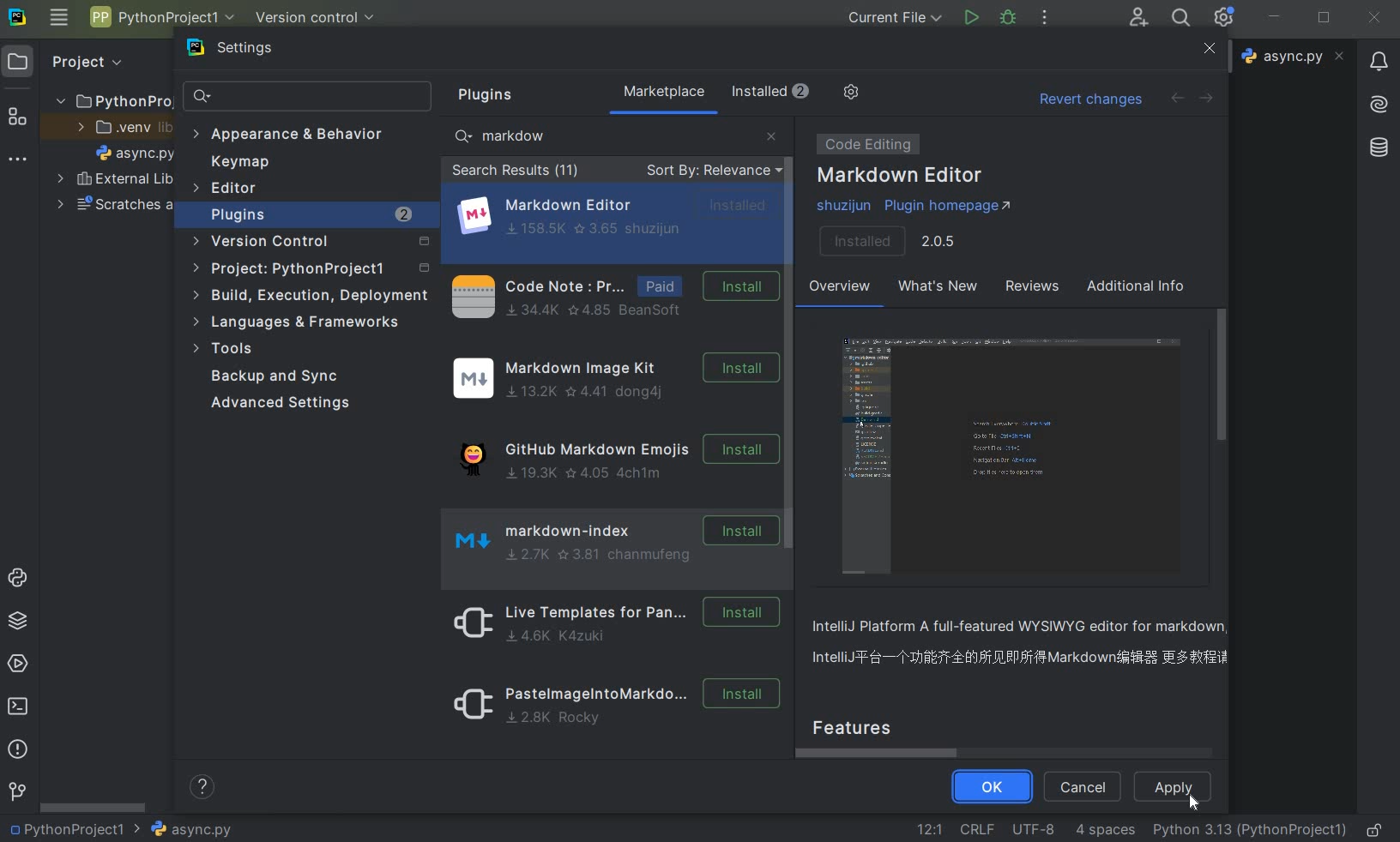  What do you see at coordinates (1182, 17) in the screenshot?
I see `search everywhere` at bounding box center [1182, 17].